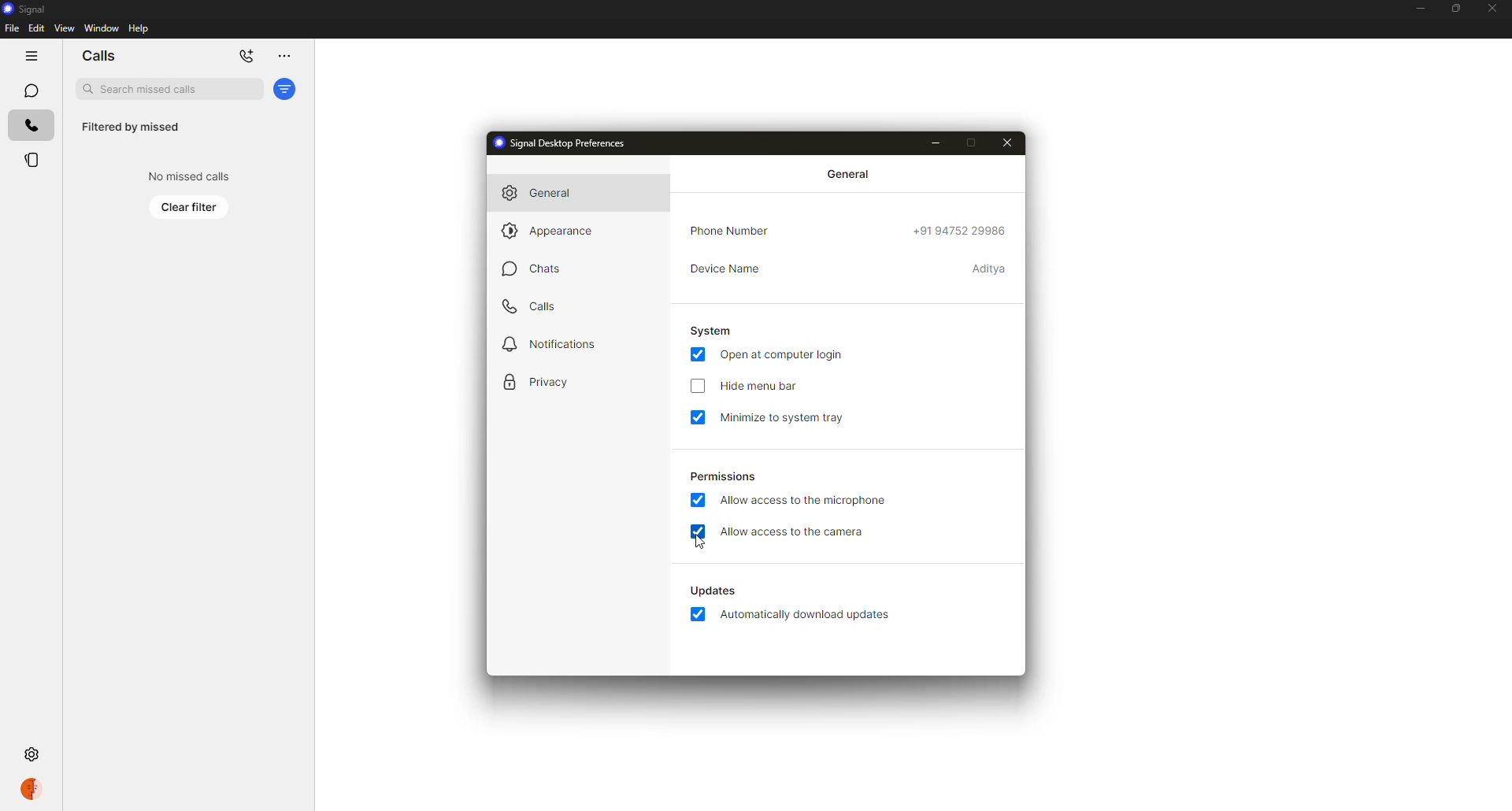 Image resolution: width=1512 pixels, height=811 pixels. I want to click on file, so click(11, 28).